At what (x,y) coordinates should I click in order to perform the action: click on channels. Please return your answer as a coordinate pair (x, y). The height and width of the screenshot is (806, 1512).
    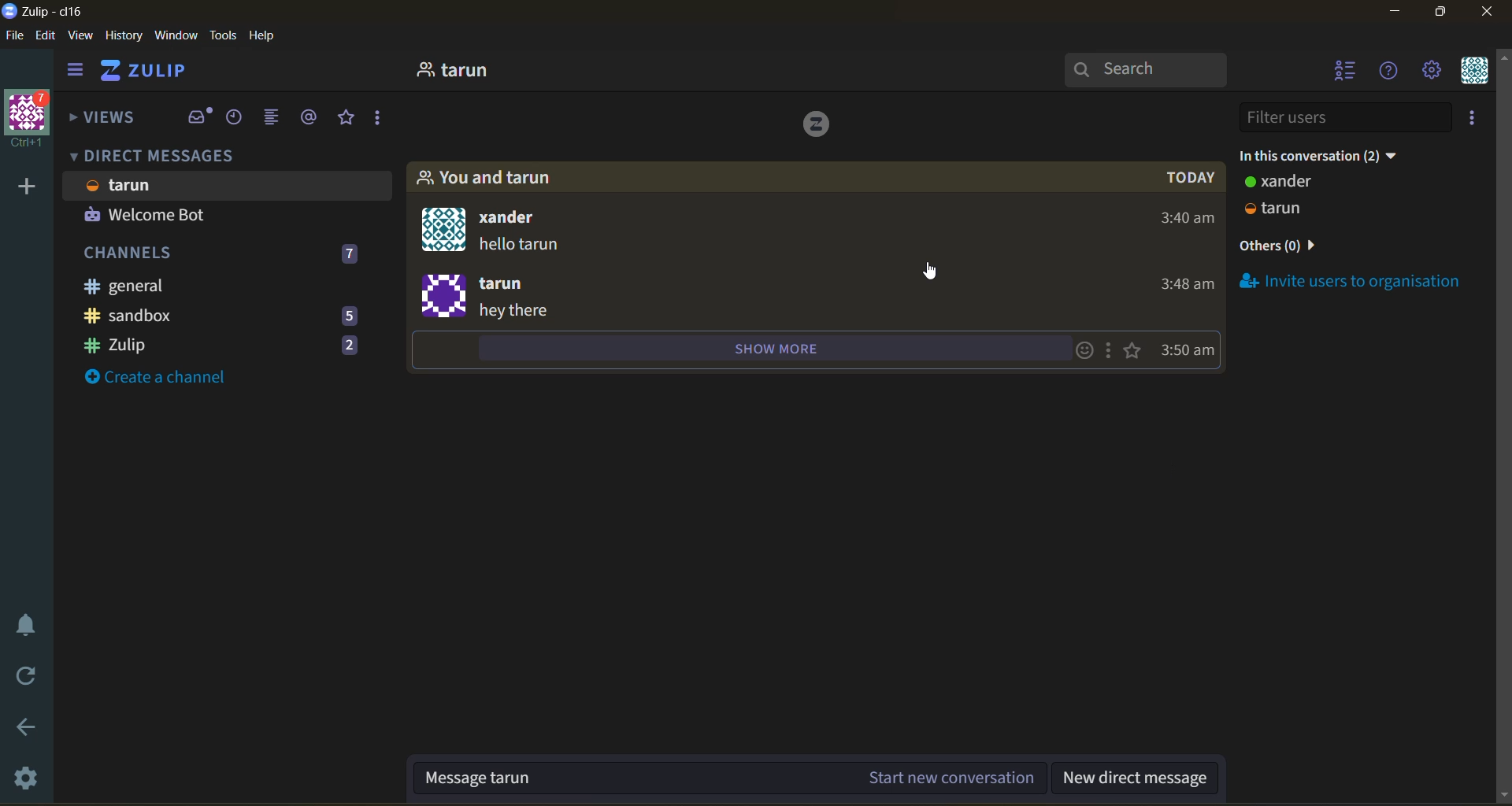
    Looking at the image, I should click on (227, 257).